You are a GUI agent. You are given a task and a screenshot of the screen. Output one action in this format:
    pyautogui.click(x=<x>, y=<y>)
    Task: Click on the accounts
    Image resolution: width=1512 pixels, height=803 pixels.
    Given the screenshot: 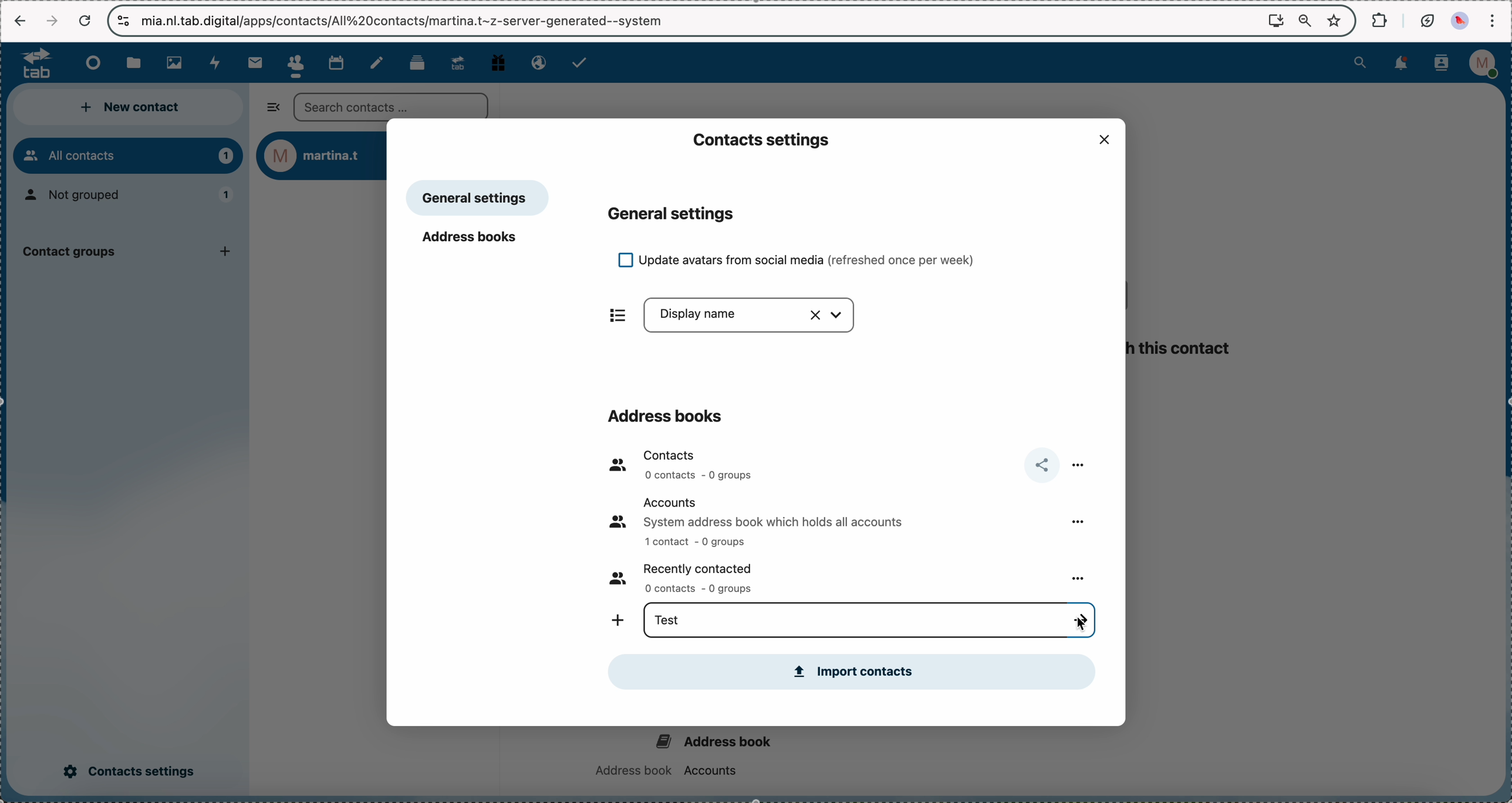 What is the action you would take?
    pyautogui.click(x=772, y=521)
    